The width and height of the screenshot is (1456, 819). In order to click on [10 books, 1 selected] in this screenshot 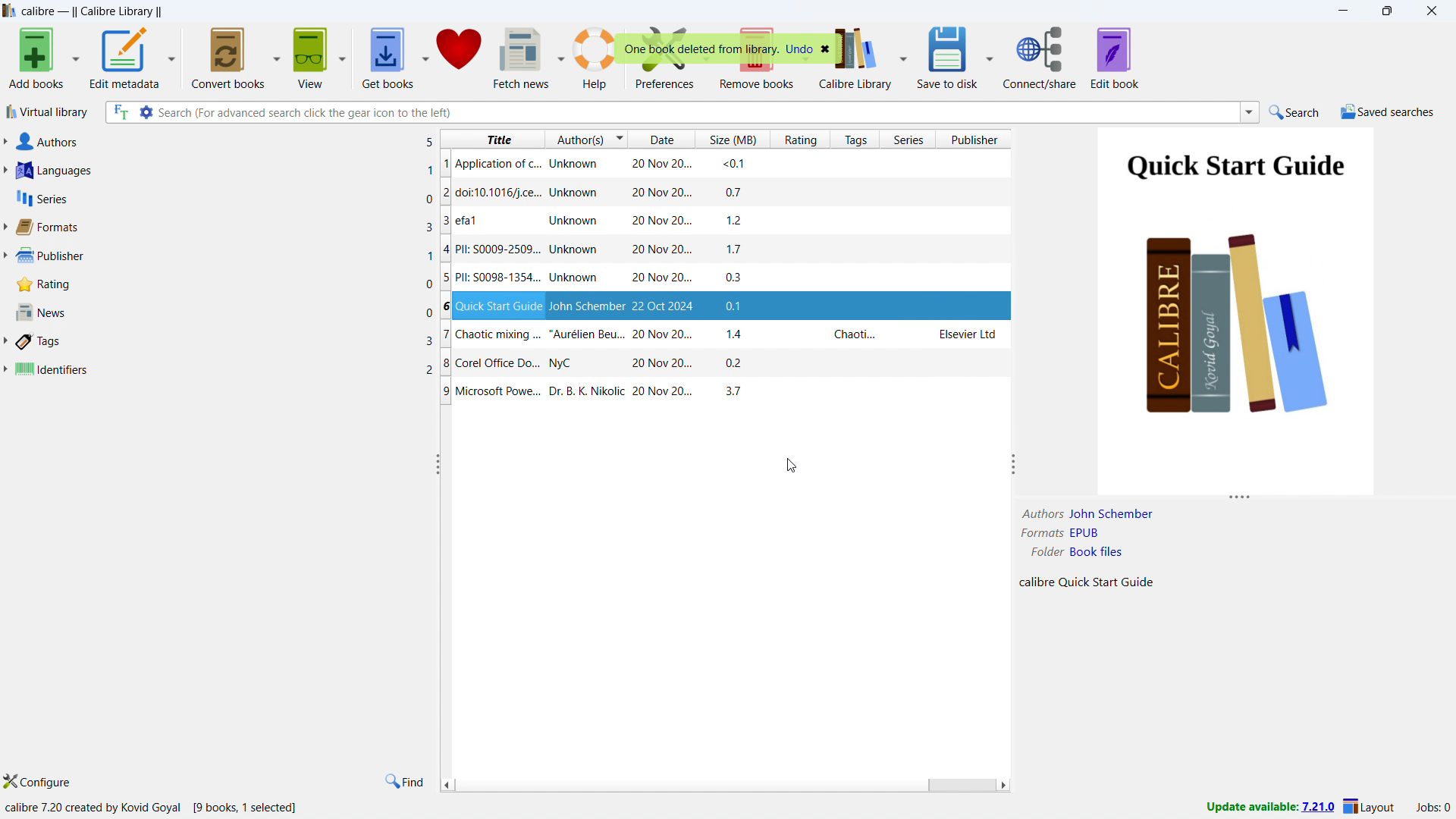, I will do `click(260, 807)`.